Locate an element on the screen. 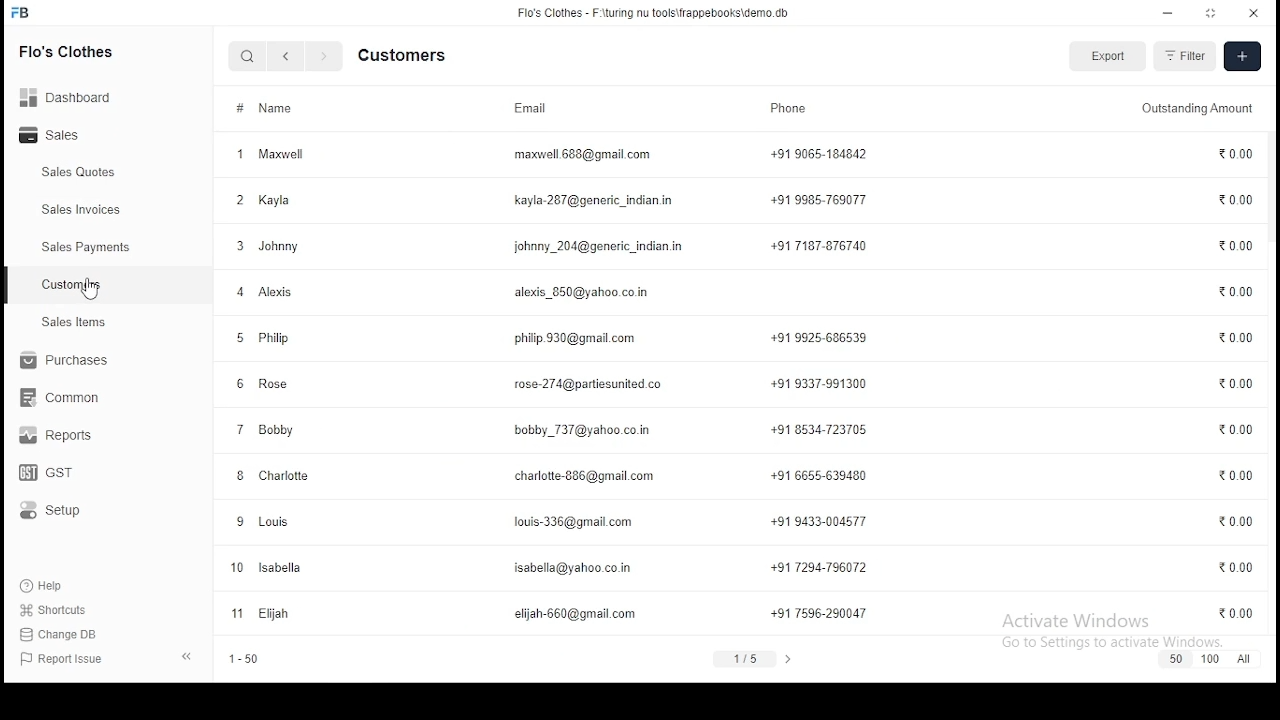 This screenshot has height=720, width=1280. 0.00 is located at coordinates (1235, 151).